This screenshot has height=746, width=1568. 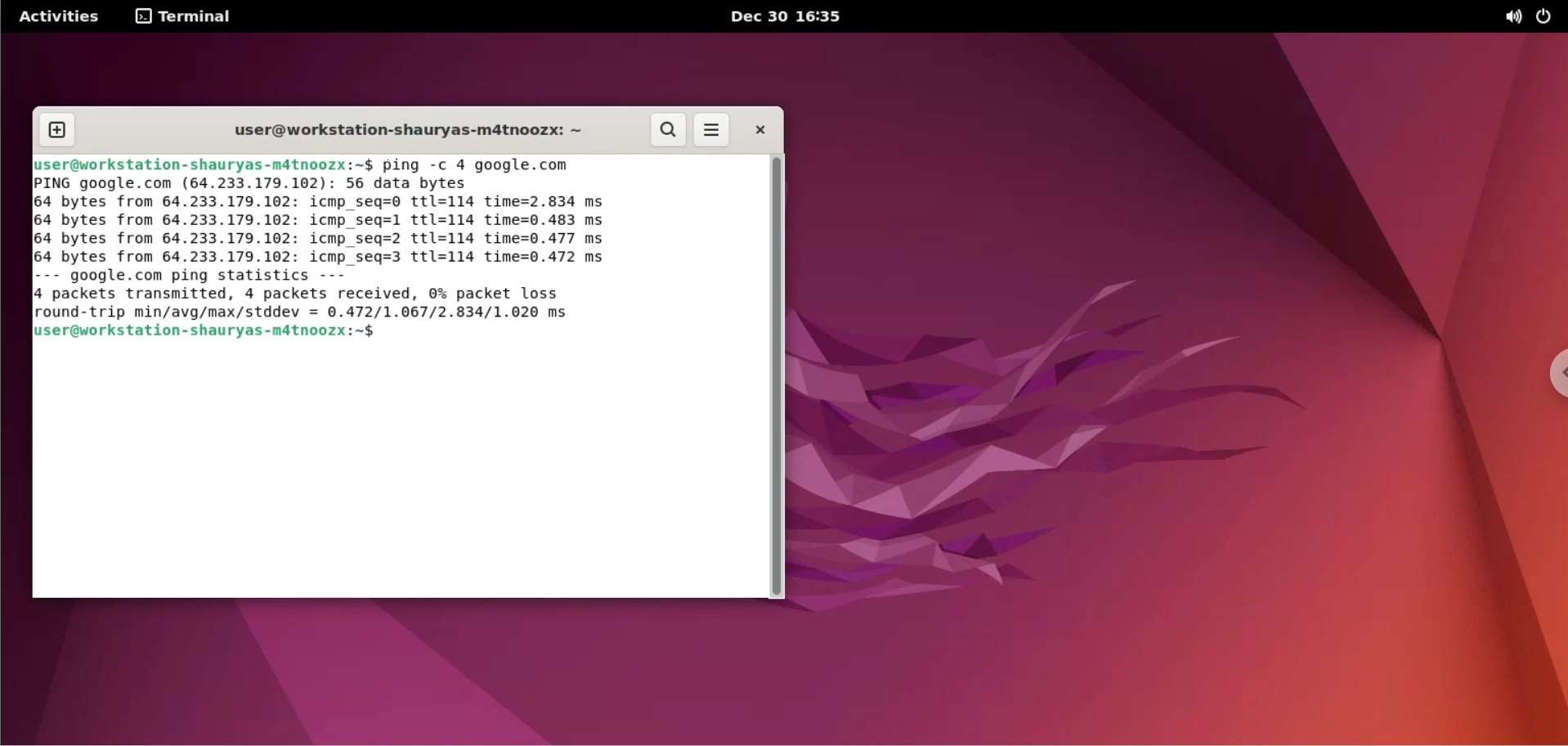 I want to click on power options, so click(x=1548, y=17).